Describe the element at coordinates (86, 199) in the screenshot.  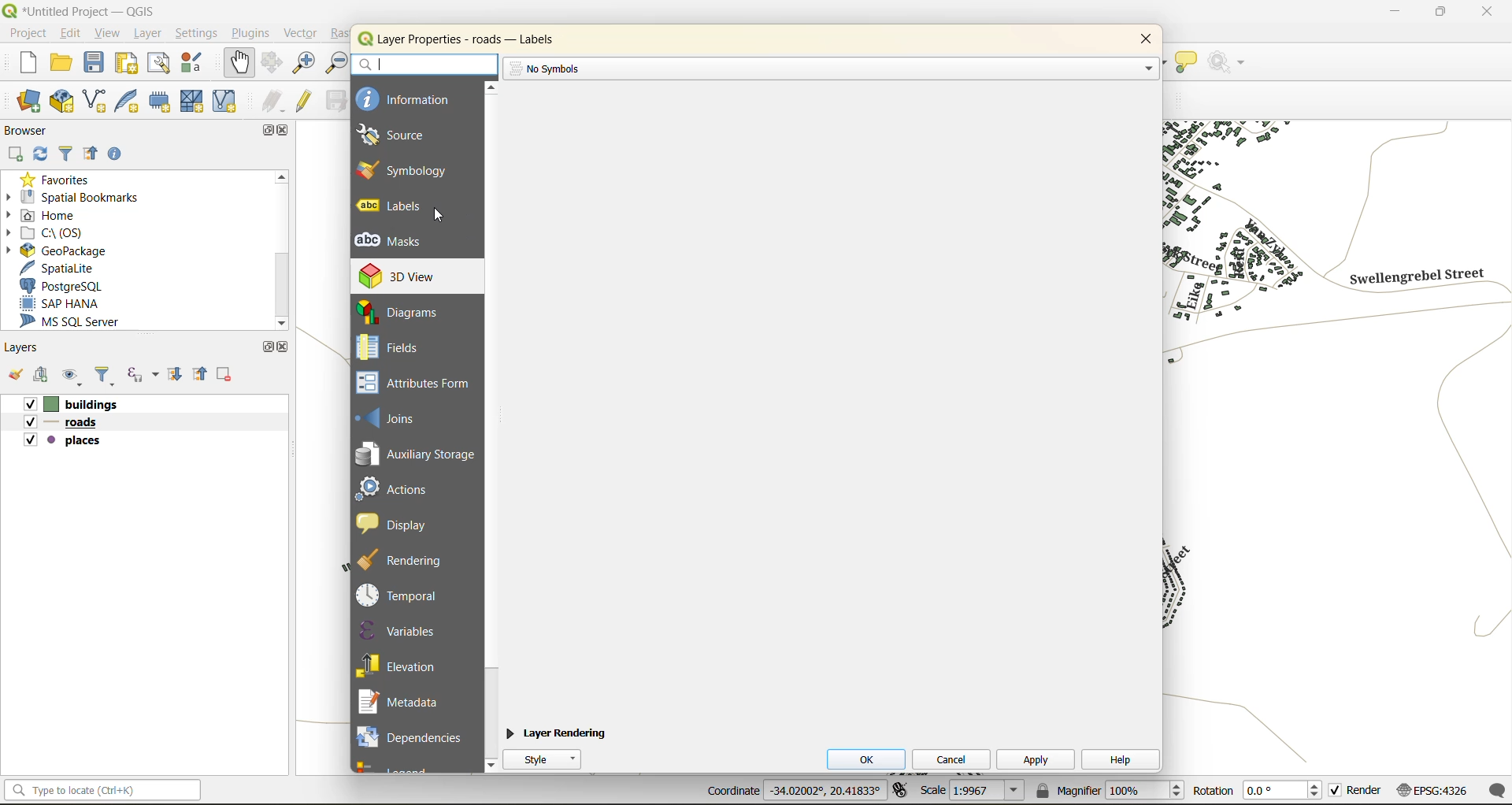
I see `spatial bookmarks` at that location.